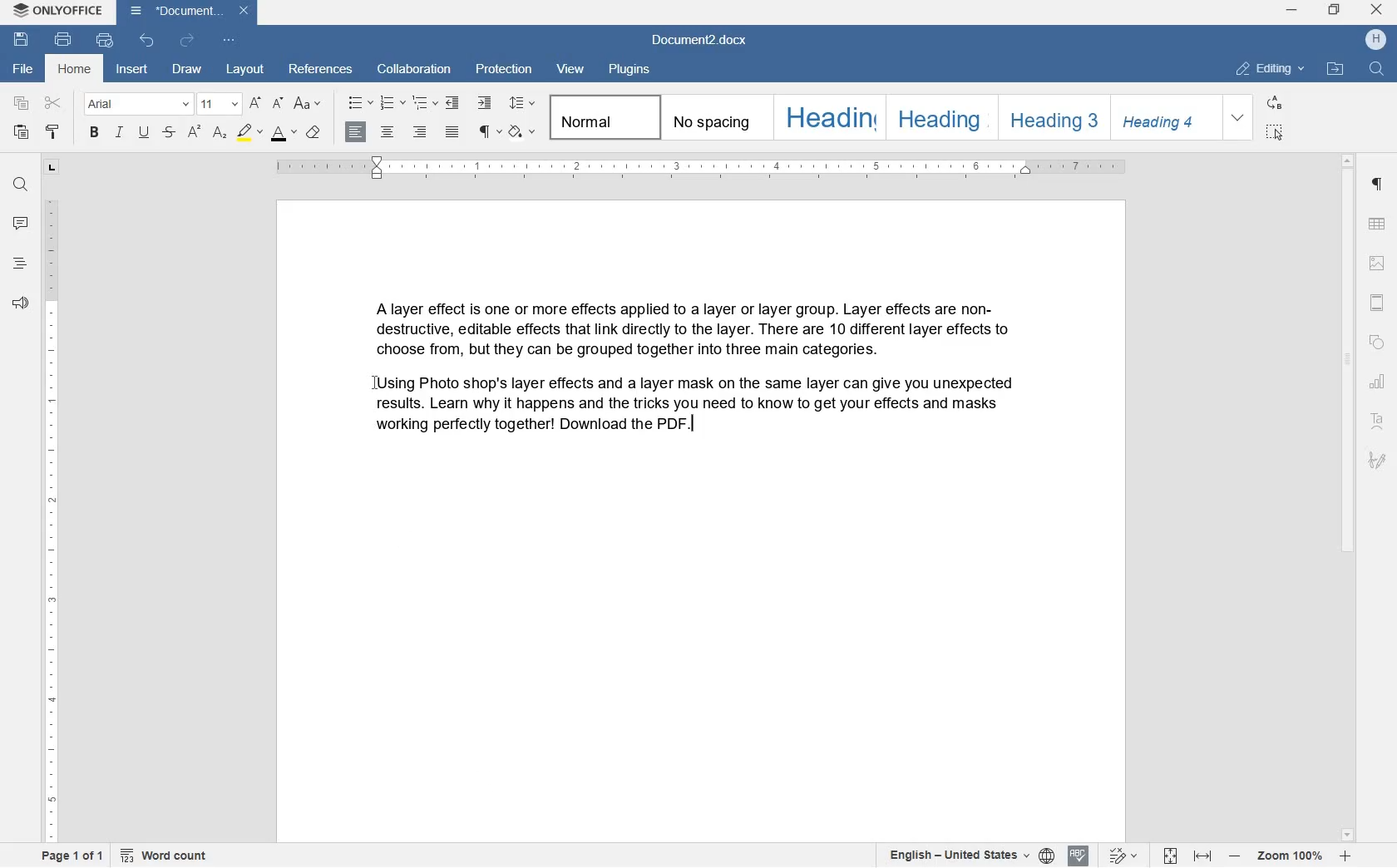 The width and height of the screenshot is (1397, 868). I want to click on INCREASE INDENT, so click(484, 104).